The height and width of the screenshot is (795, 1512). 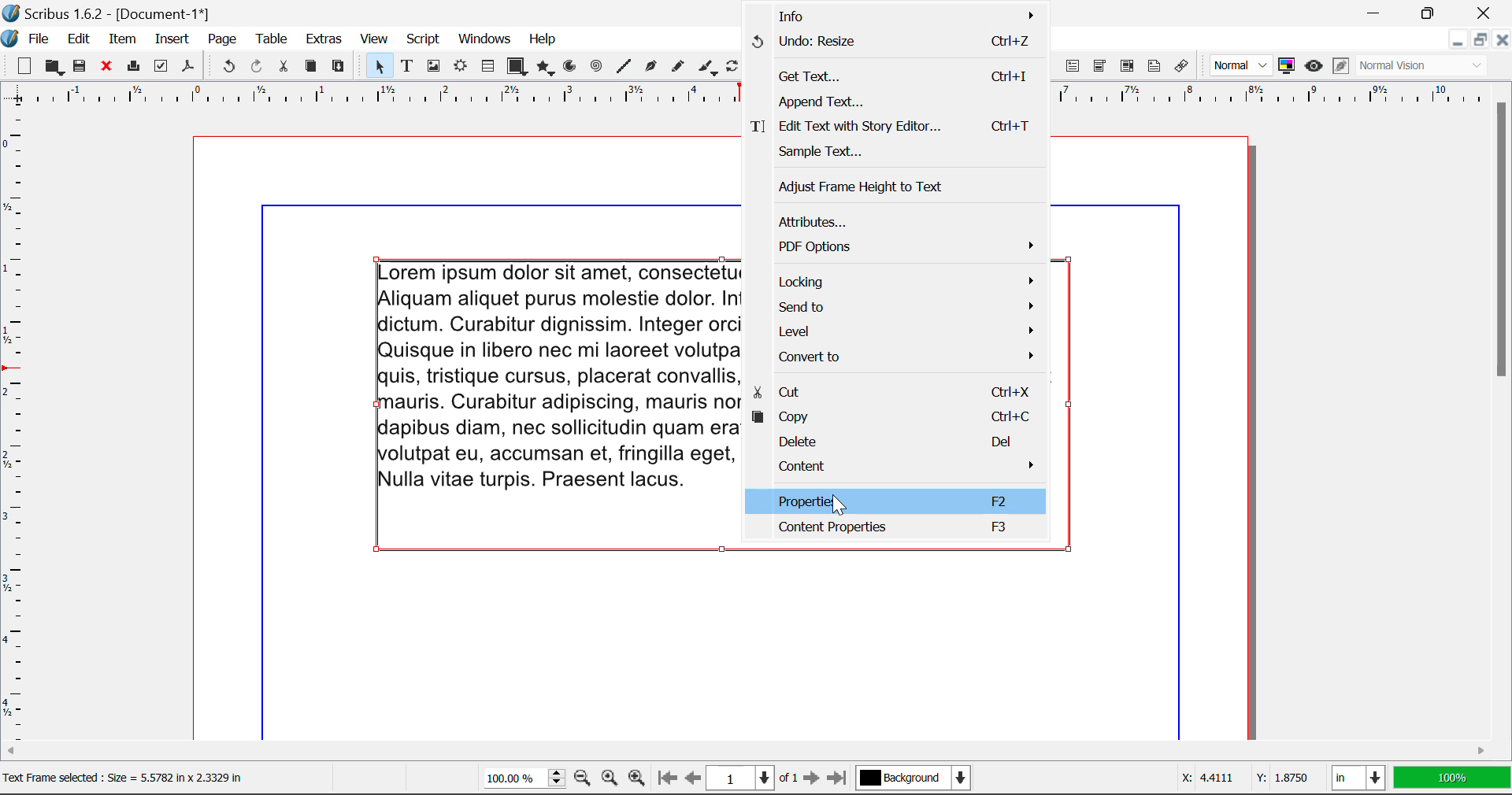 I want to click on Close, so click(x=1501, y=39).